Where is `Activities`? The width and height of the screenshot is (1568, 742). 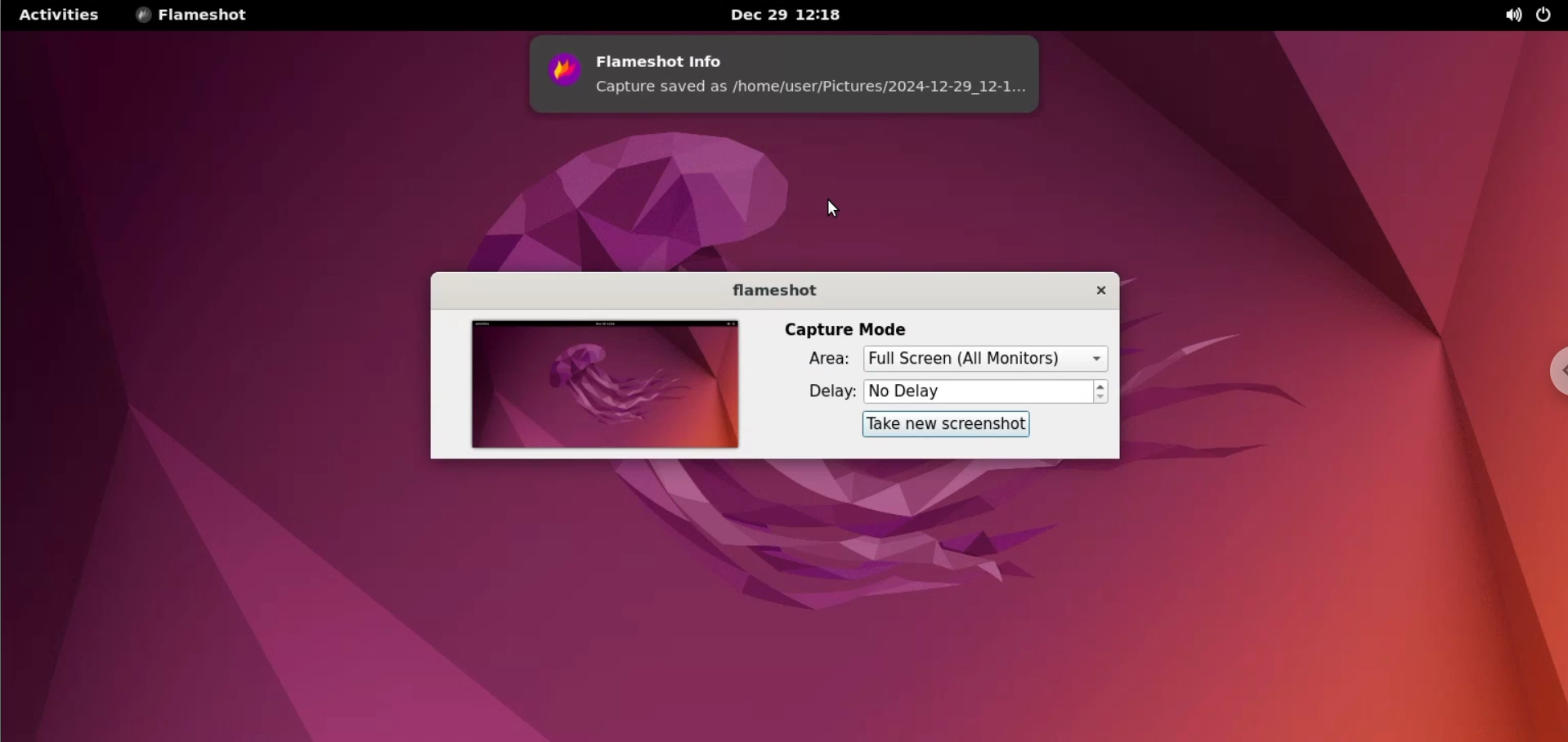
Activities is located at coordinates (58, 16).